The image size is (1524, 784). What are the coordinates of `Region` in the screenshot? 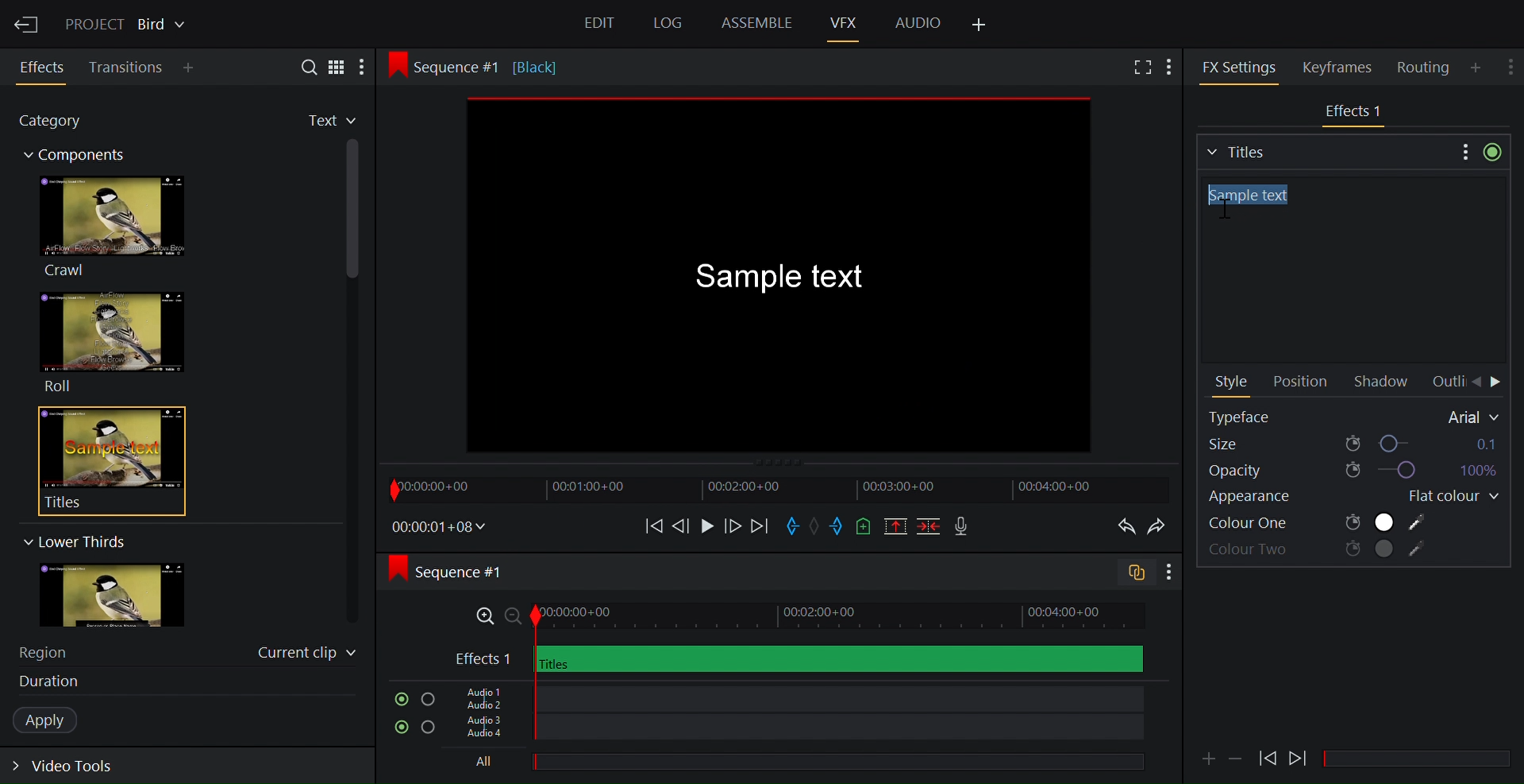 It's located at (52, 651).